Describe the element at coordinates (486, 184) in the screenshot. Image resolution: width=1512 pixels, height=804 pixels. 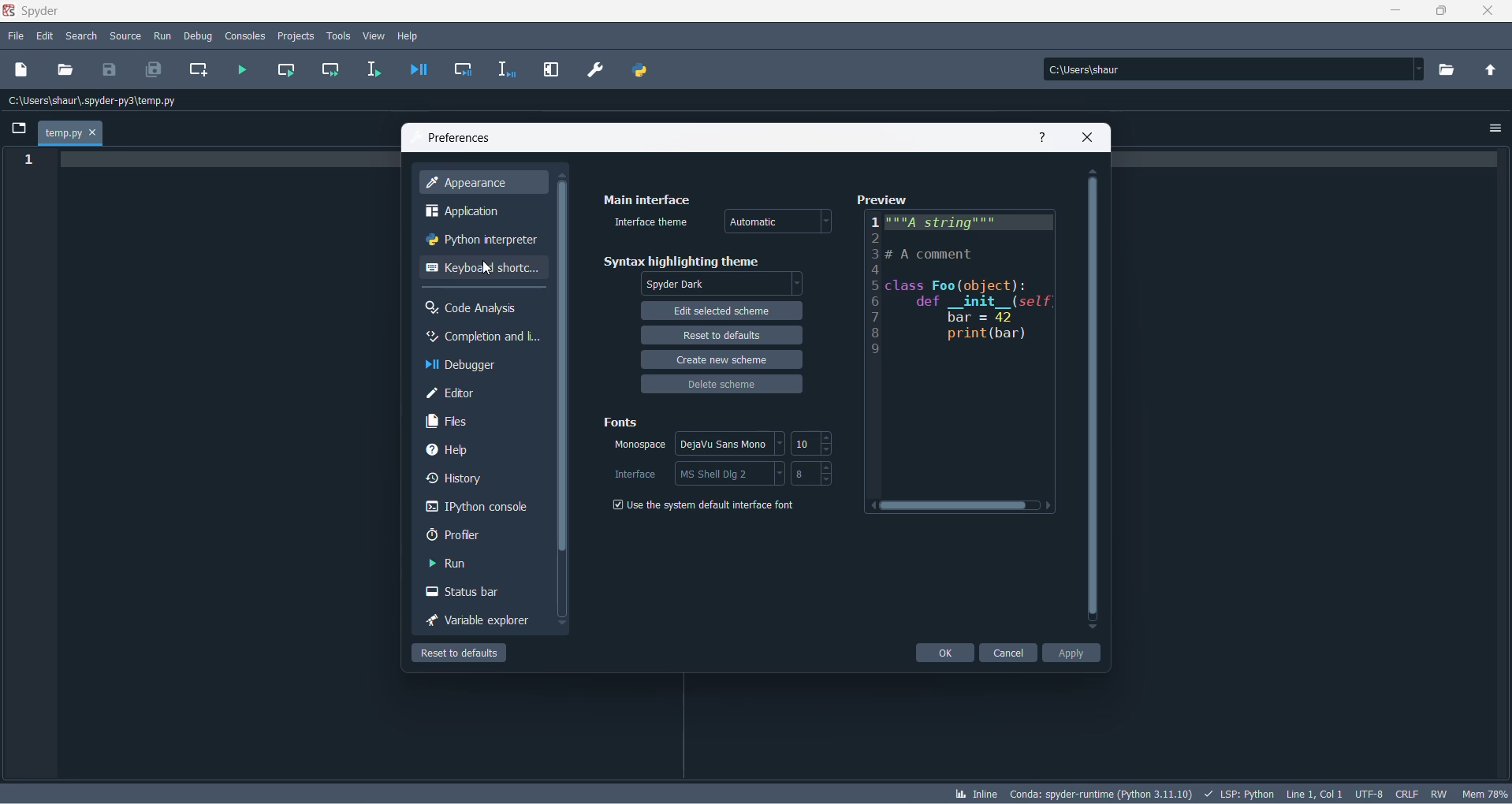
I see `appearance` at that location.